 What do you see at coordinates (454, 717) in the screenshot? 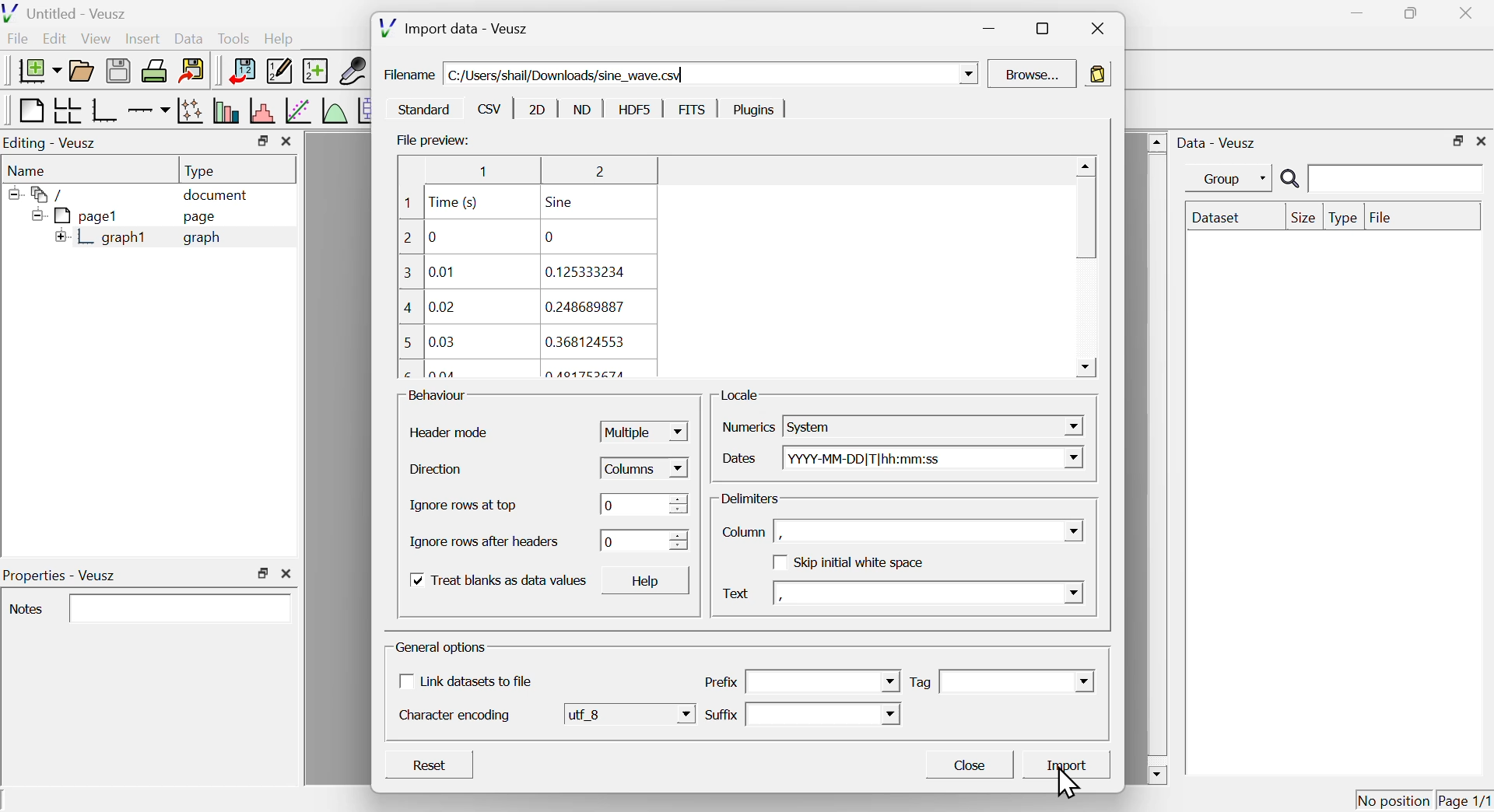
I see `Character encoding` at bounding box center [454, 717].